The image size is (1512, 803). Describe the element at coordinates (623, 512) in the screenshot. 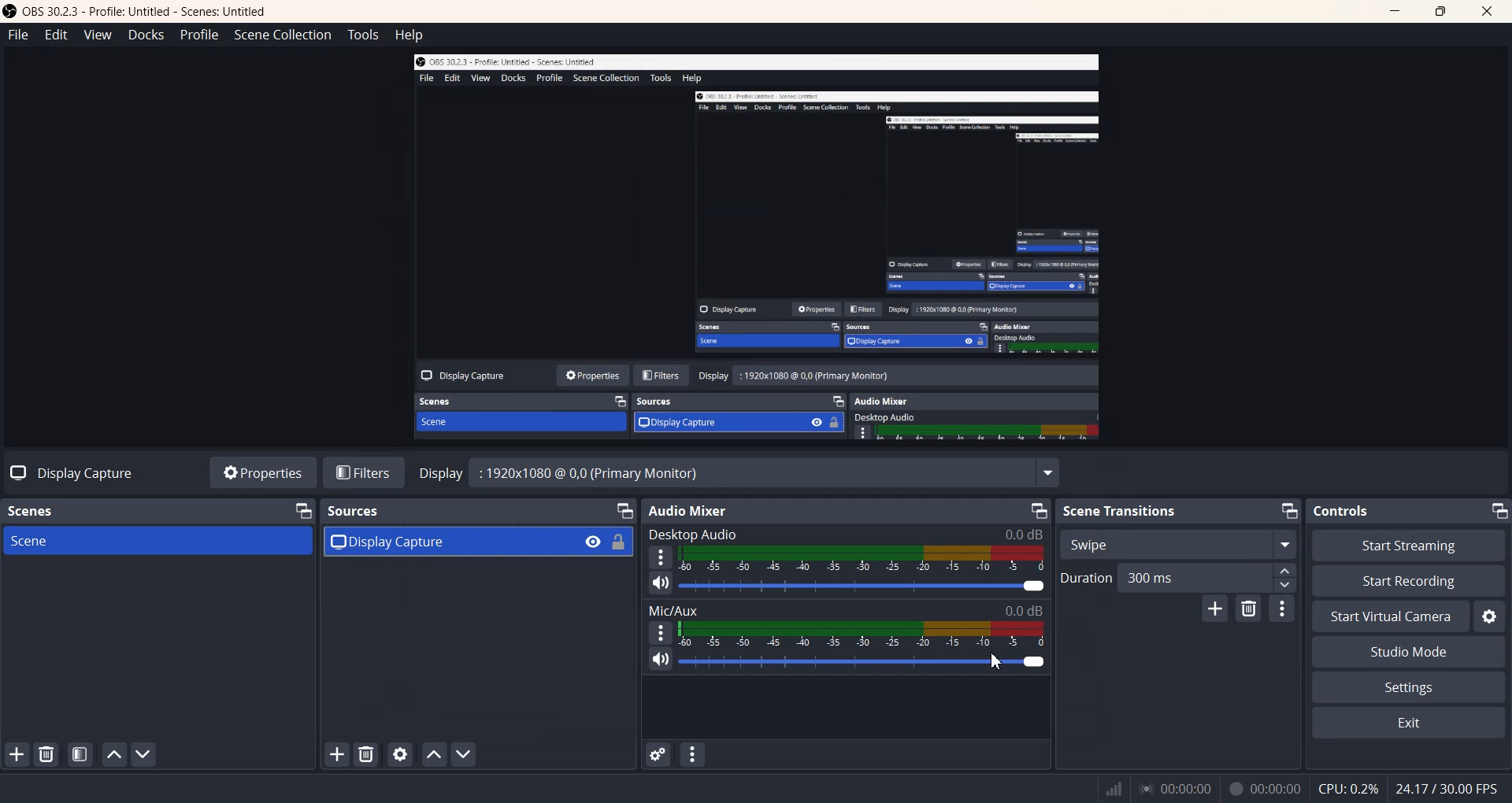

I see `Minimize` at that location.